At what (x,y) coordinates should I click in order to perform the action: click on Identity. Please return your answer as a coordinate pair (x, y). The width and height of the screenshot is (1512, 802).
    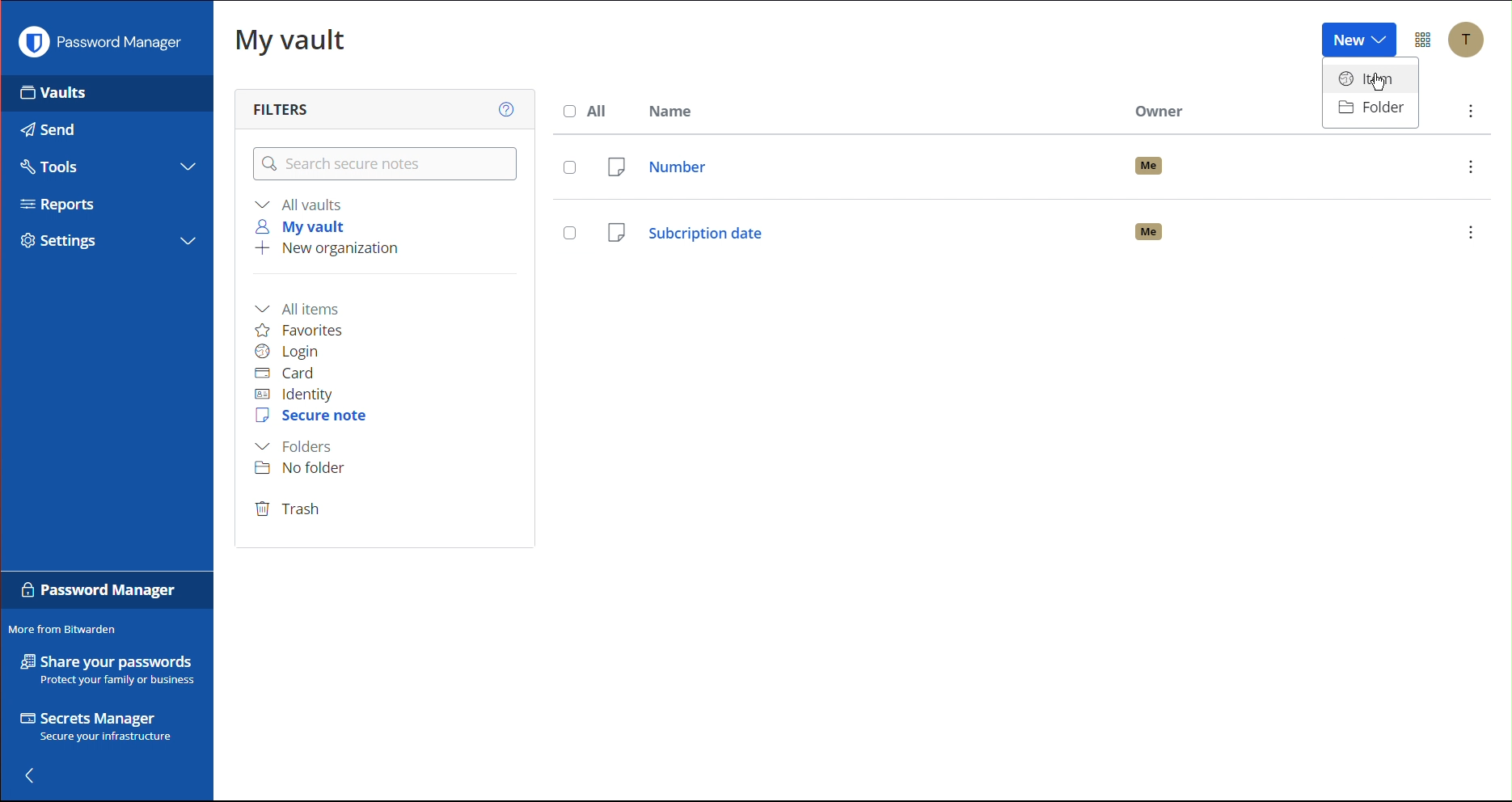
    Looking at the image, I should click on (298, 394).